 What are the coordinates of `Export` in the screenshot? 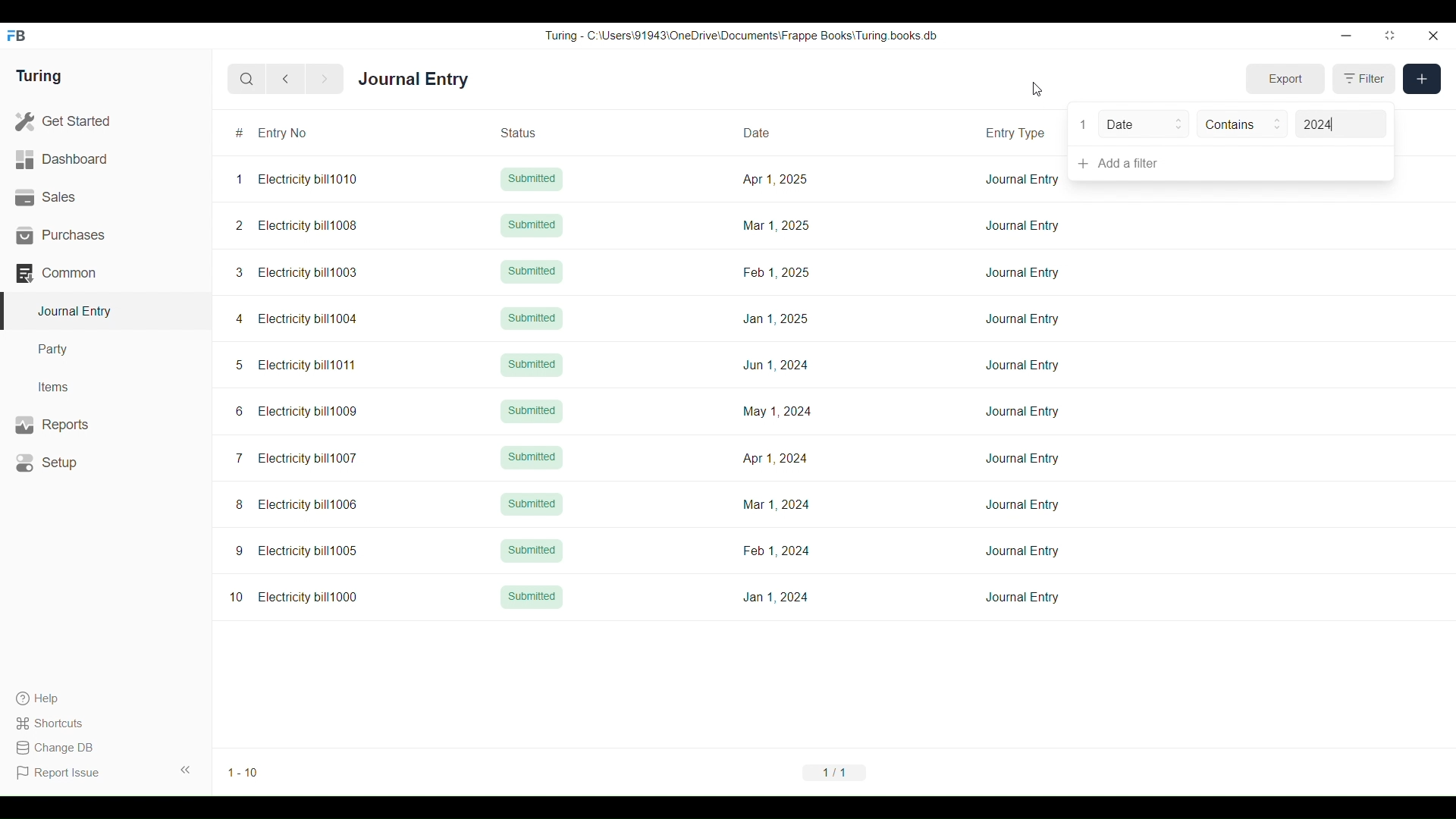 It's located at (1286, 79).